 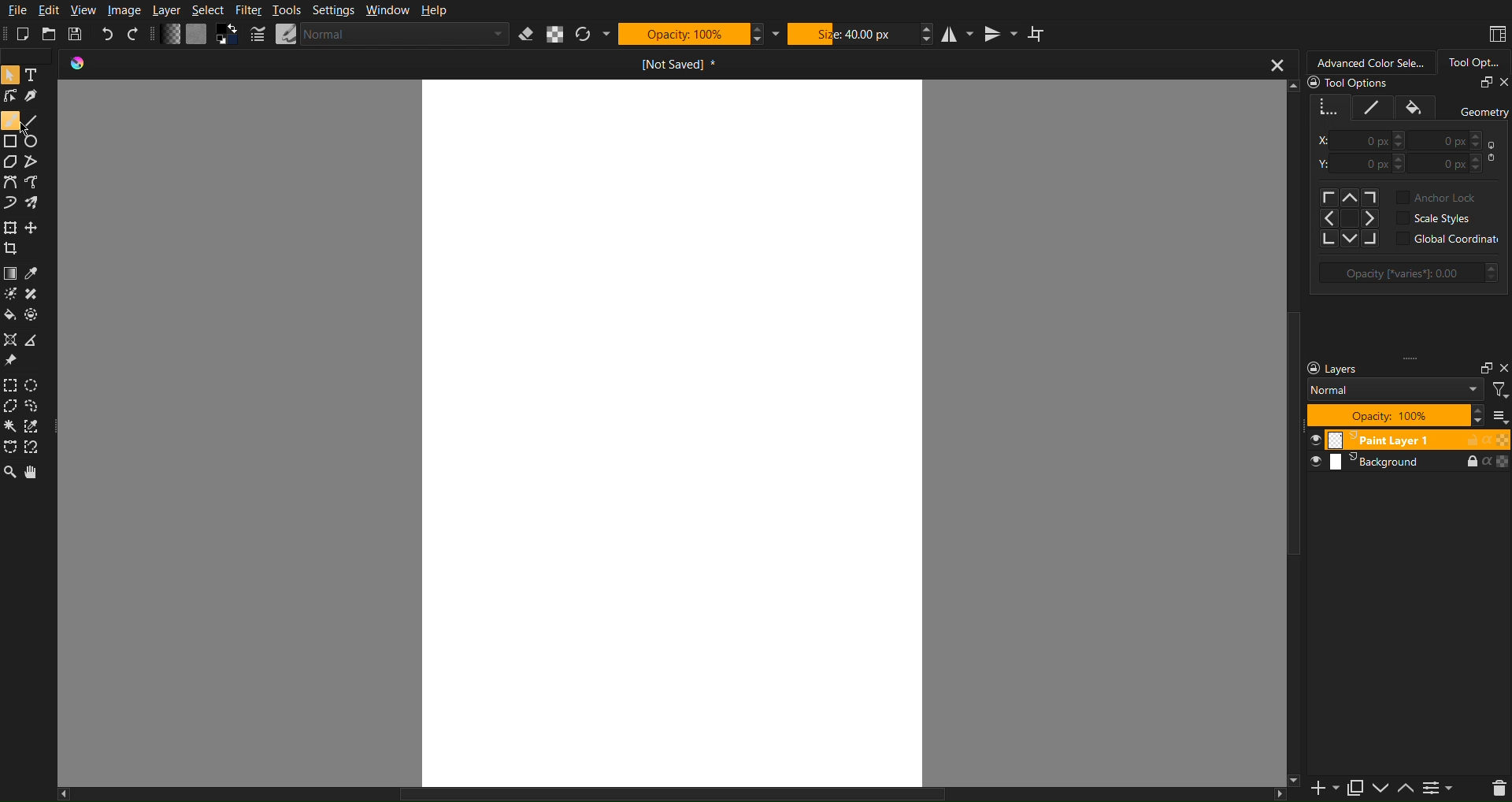 What do you see at coordinates (35, 387) in the screenshot?
I see `Ellipse Marquee Tool` at bounding box center [35, 387].